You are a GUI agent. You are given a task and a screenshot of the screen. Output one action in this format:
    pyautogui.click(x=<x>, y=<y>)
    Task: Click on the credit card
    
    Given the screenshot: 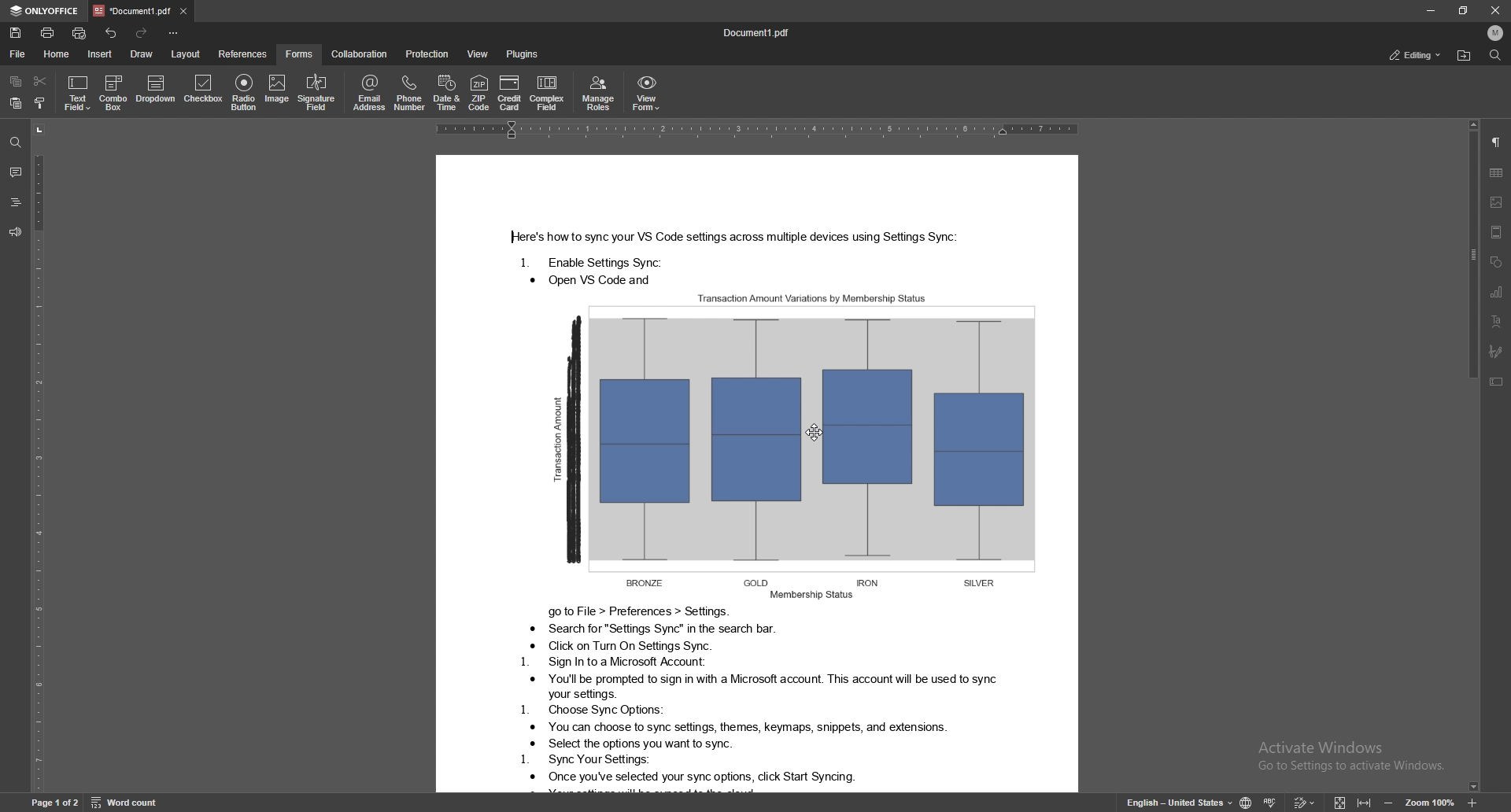 What is the action you would take?
    pyautogui.click(x=511, y=92)
    